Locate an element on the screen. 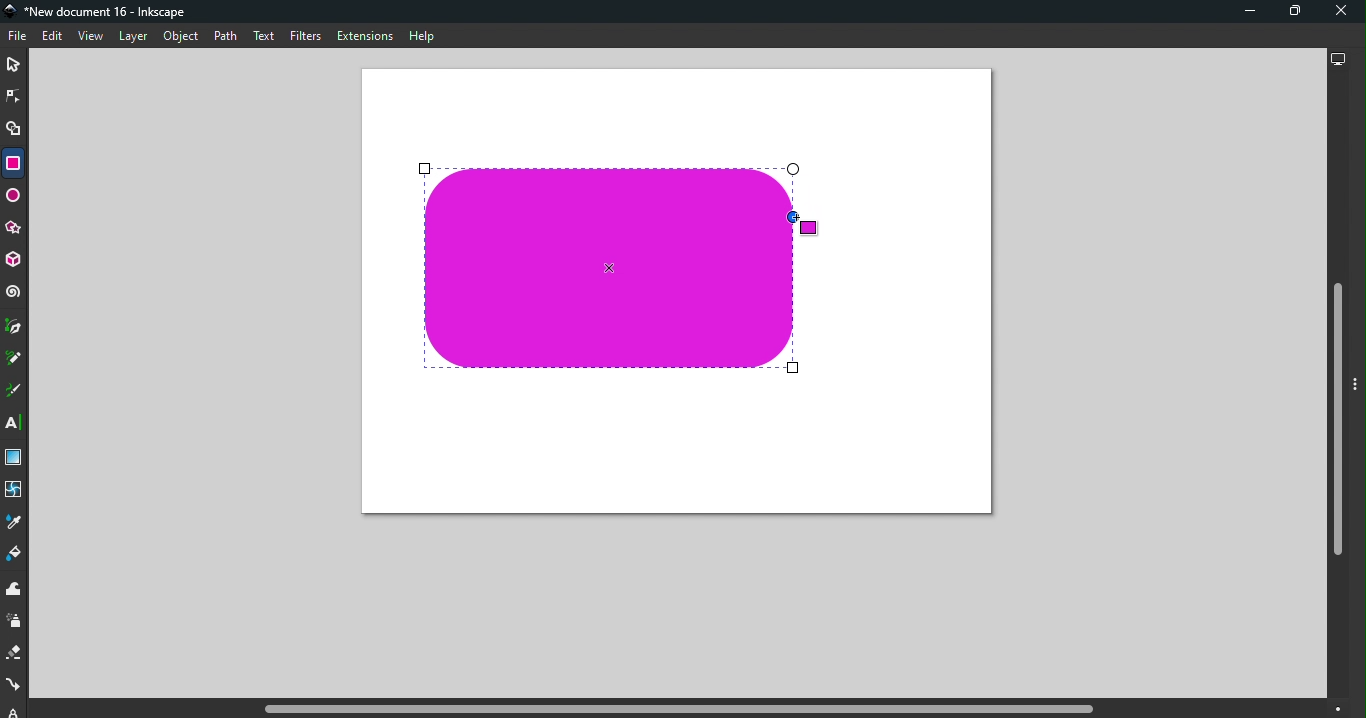 The height and width of the screenshot is (718, 1366). Calligraphy tool is located at coordinates (15, 391).